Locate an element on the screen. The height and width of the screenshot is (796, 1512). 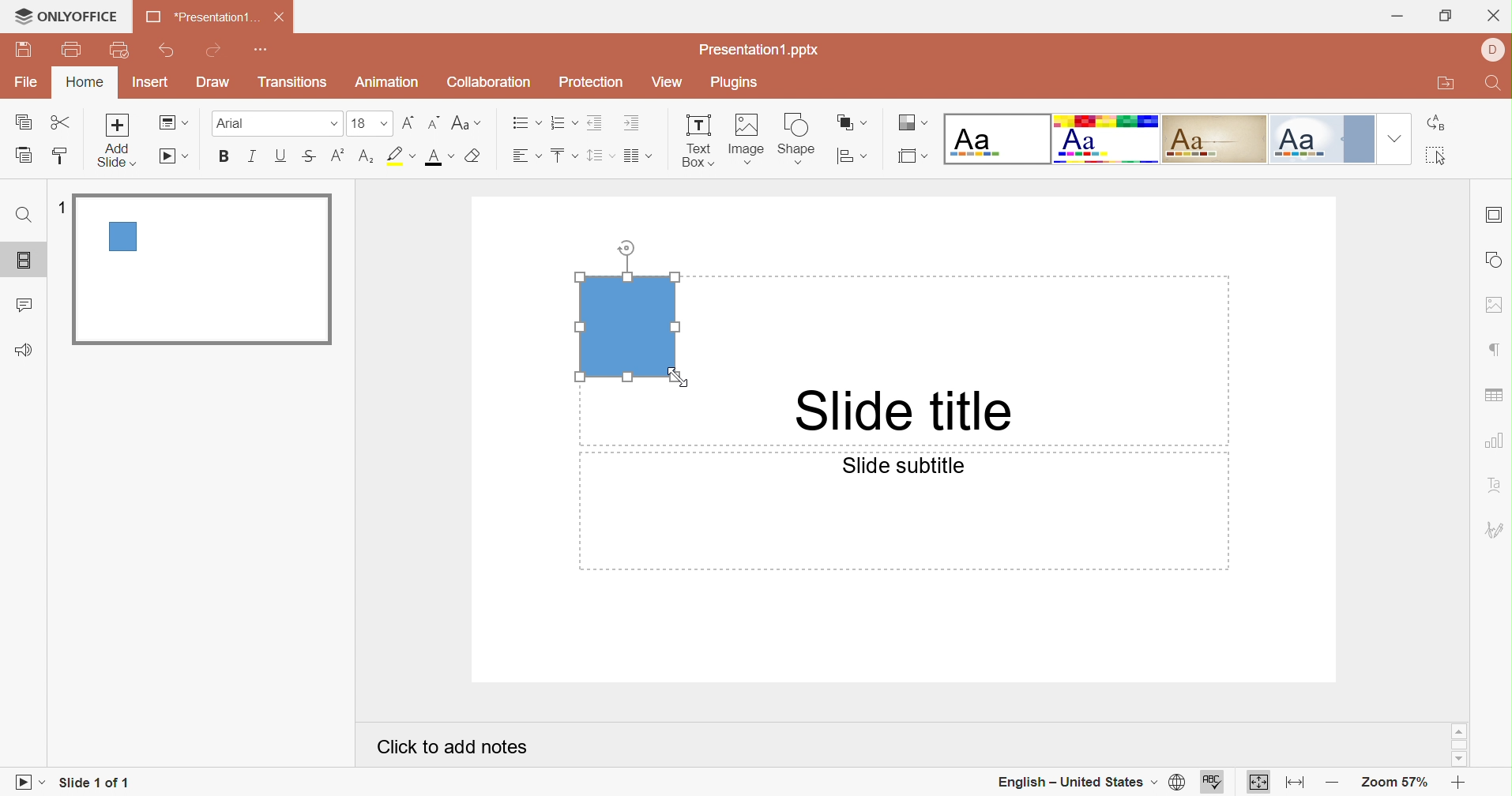
Drop down is located at coordinates (1396, 138).